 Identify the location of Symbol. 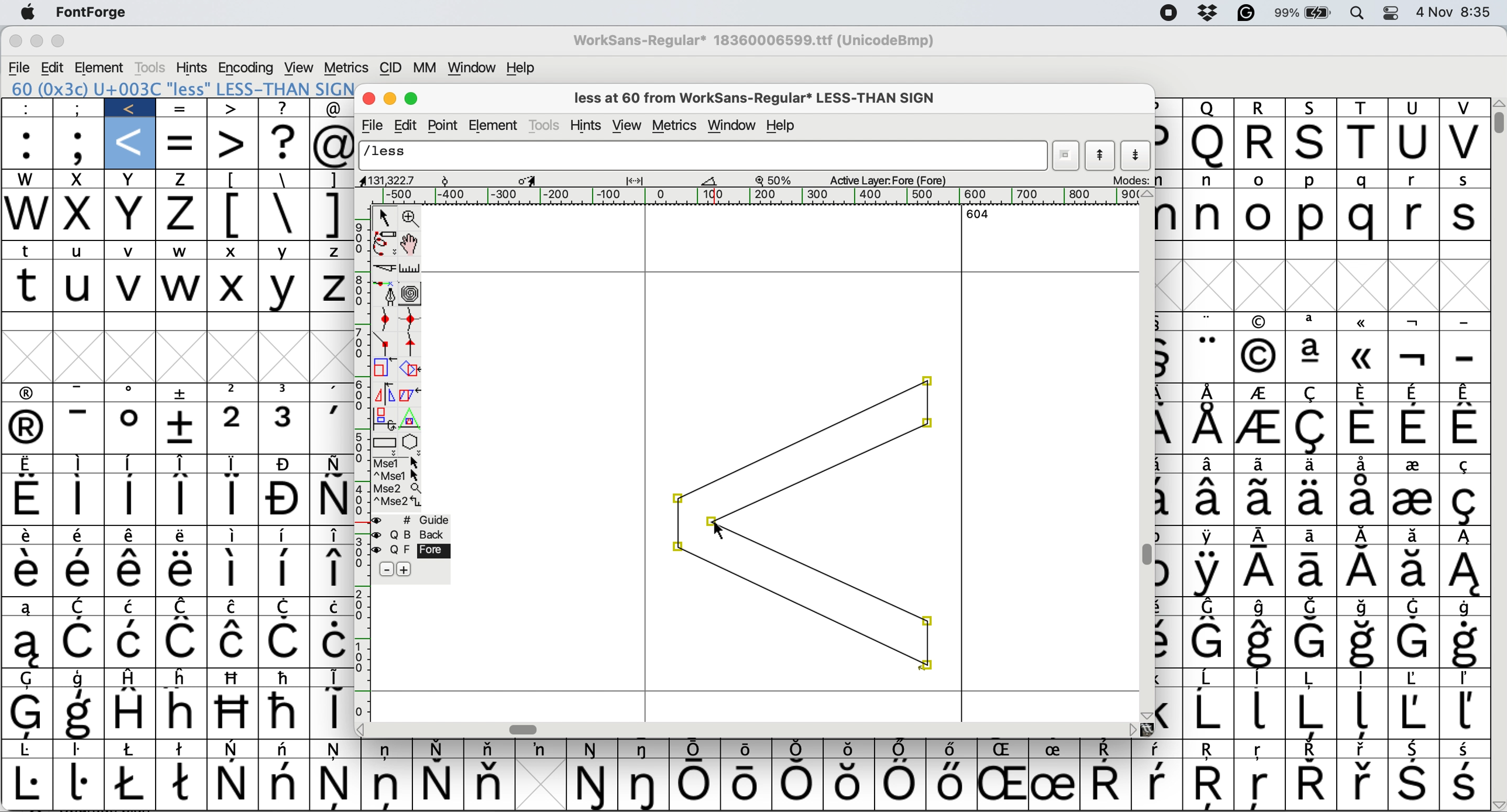
(800, 748).